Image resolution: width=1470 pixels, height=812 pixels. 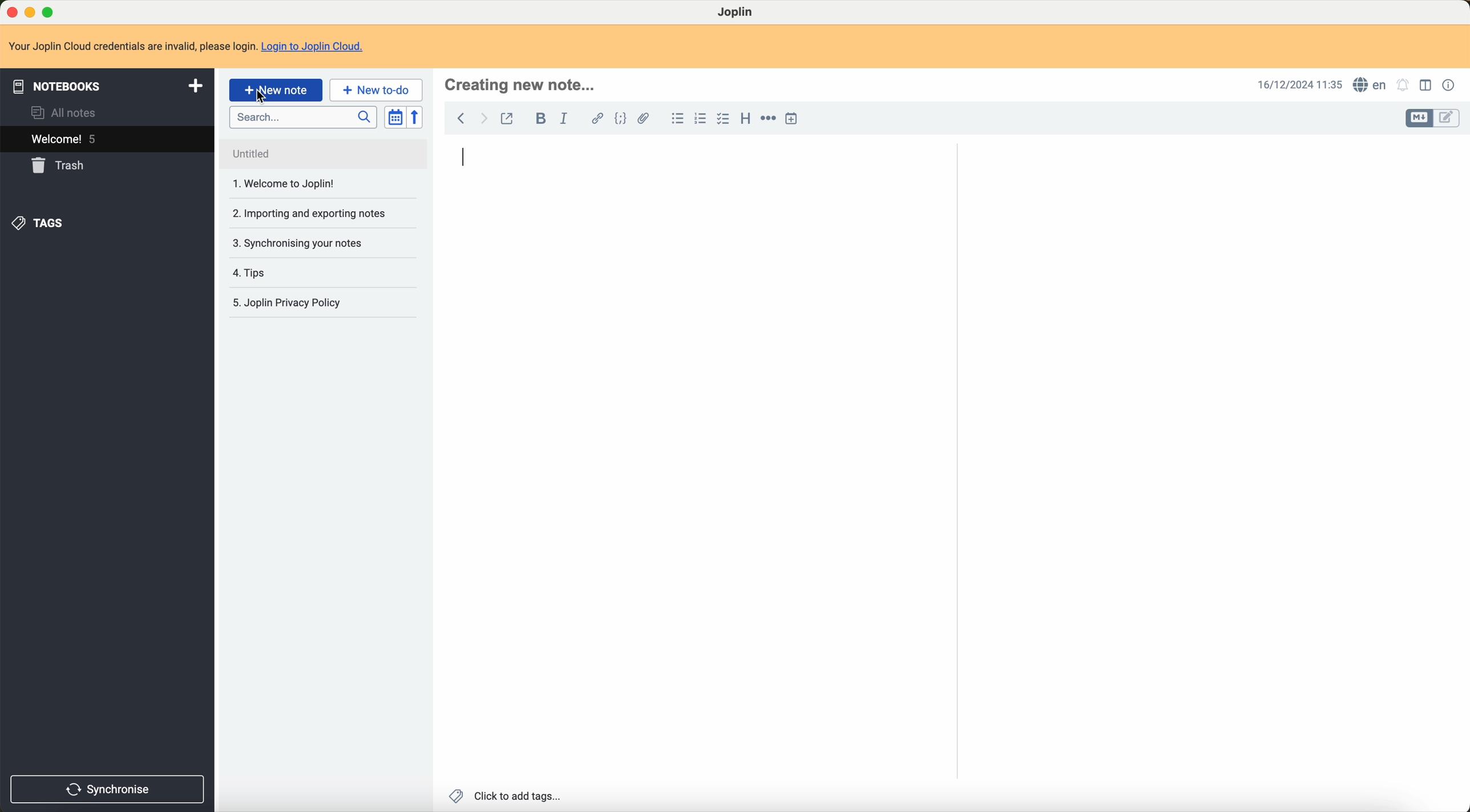 What do you see at coordinates (1425, 87) in the screenshot?
I see `toggle editor layout` at bounding box center [1425, 87].